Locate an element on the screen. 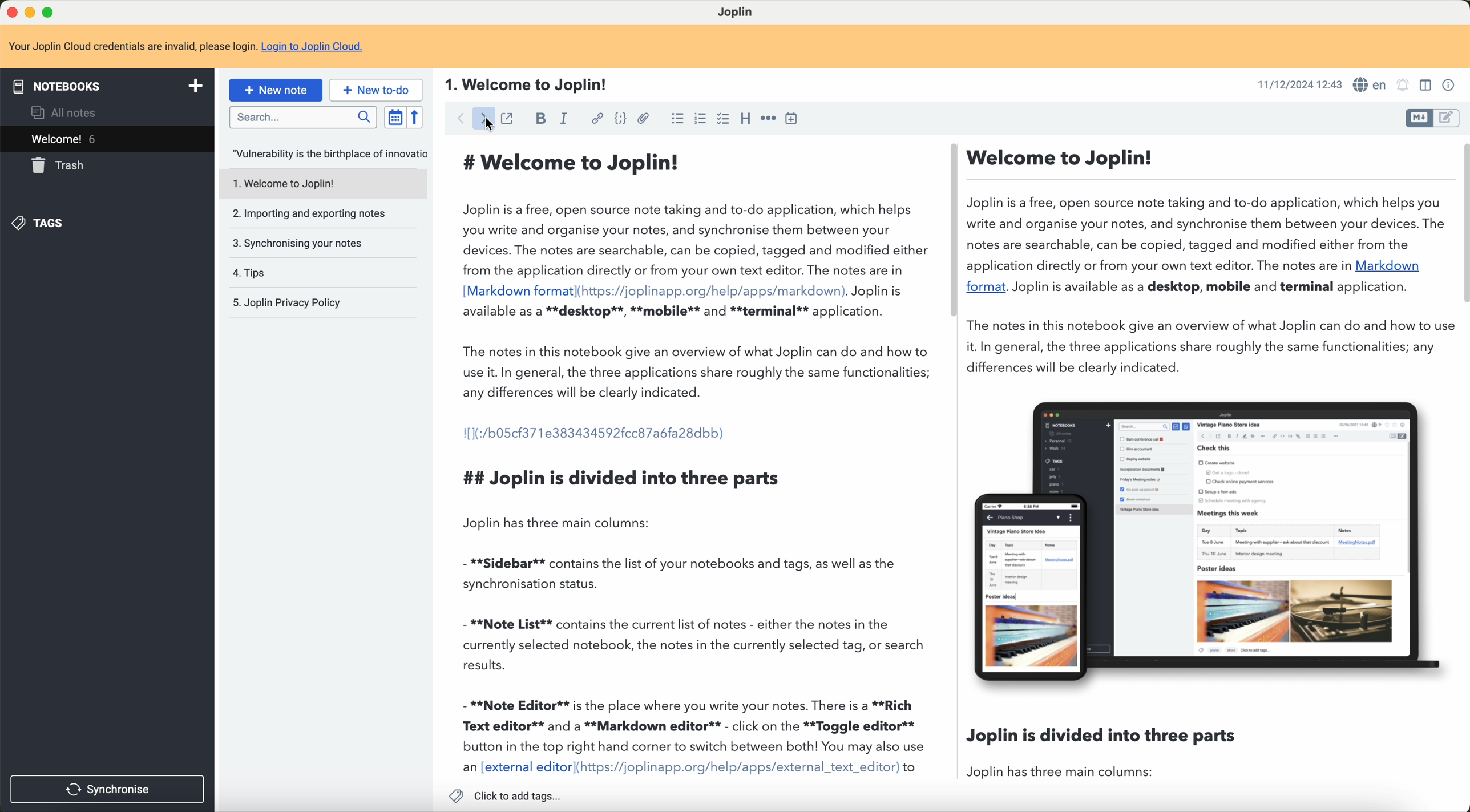 Image resolution: width=1470 pixels, height=812 pixels. trash is located at coordinates (58, 167).